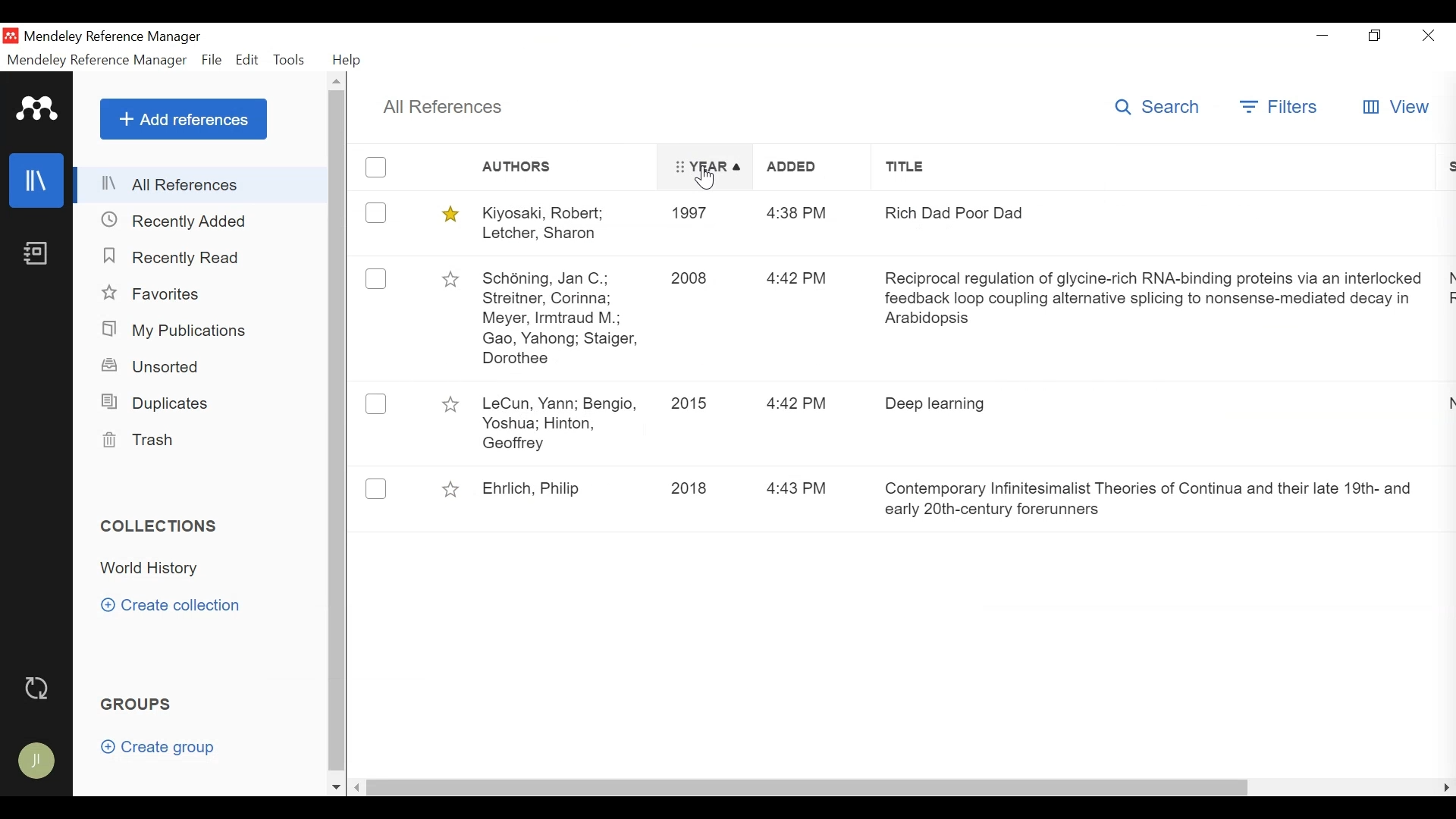  Describe the element at coordinates (791, 487) in the screenshot. I see `4:43 PM` at that location.